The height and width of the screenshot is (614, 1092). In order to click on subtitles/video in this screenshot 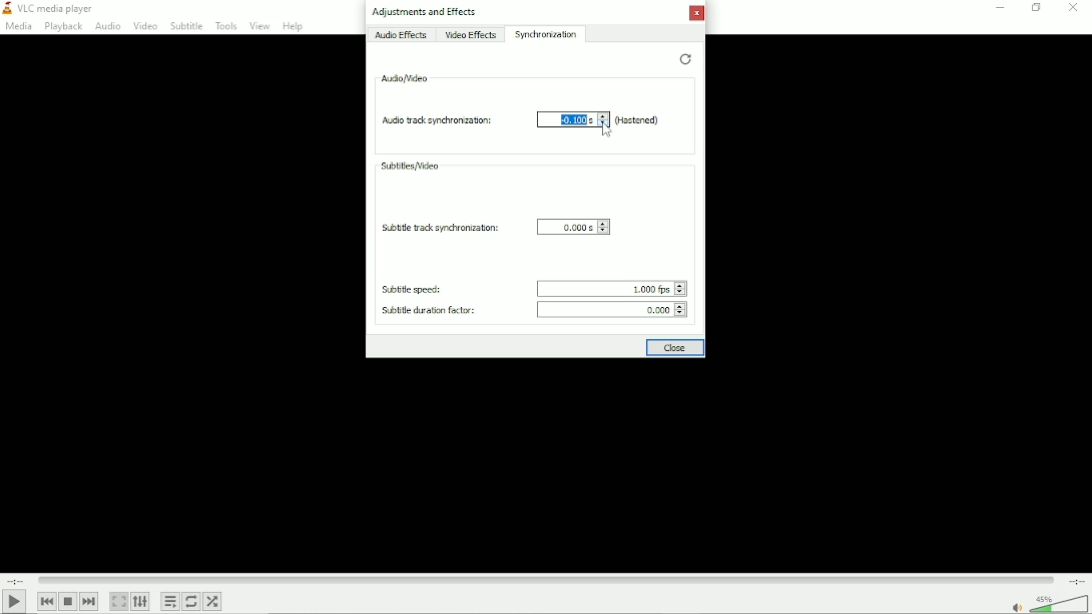, I will do `click(410, 164)`.